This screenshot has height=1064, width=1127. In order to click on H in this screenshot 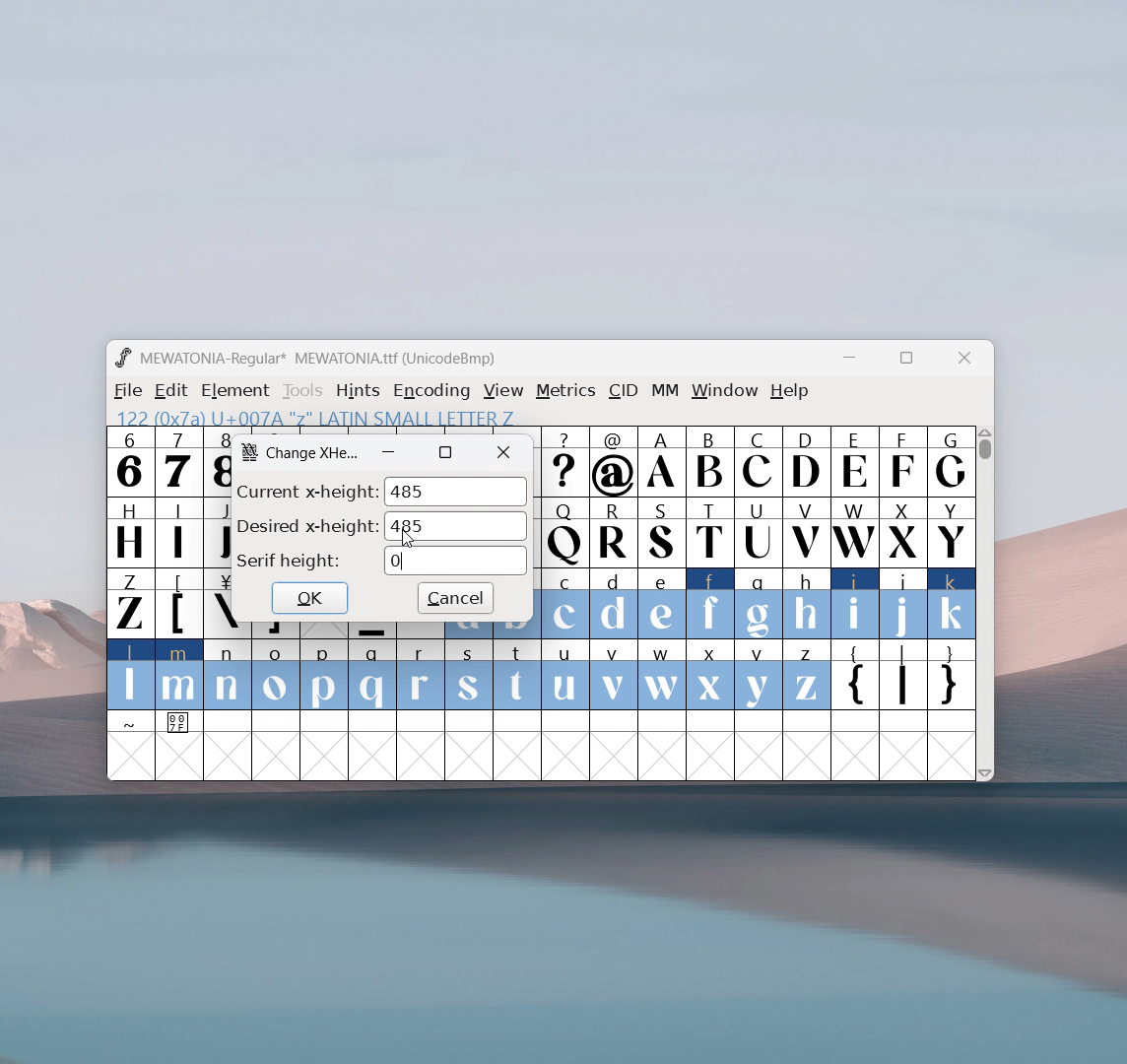, I will do `click(129, 530)`.